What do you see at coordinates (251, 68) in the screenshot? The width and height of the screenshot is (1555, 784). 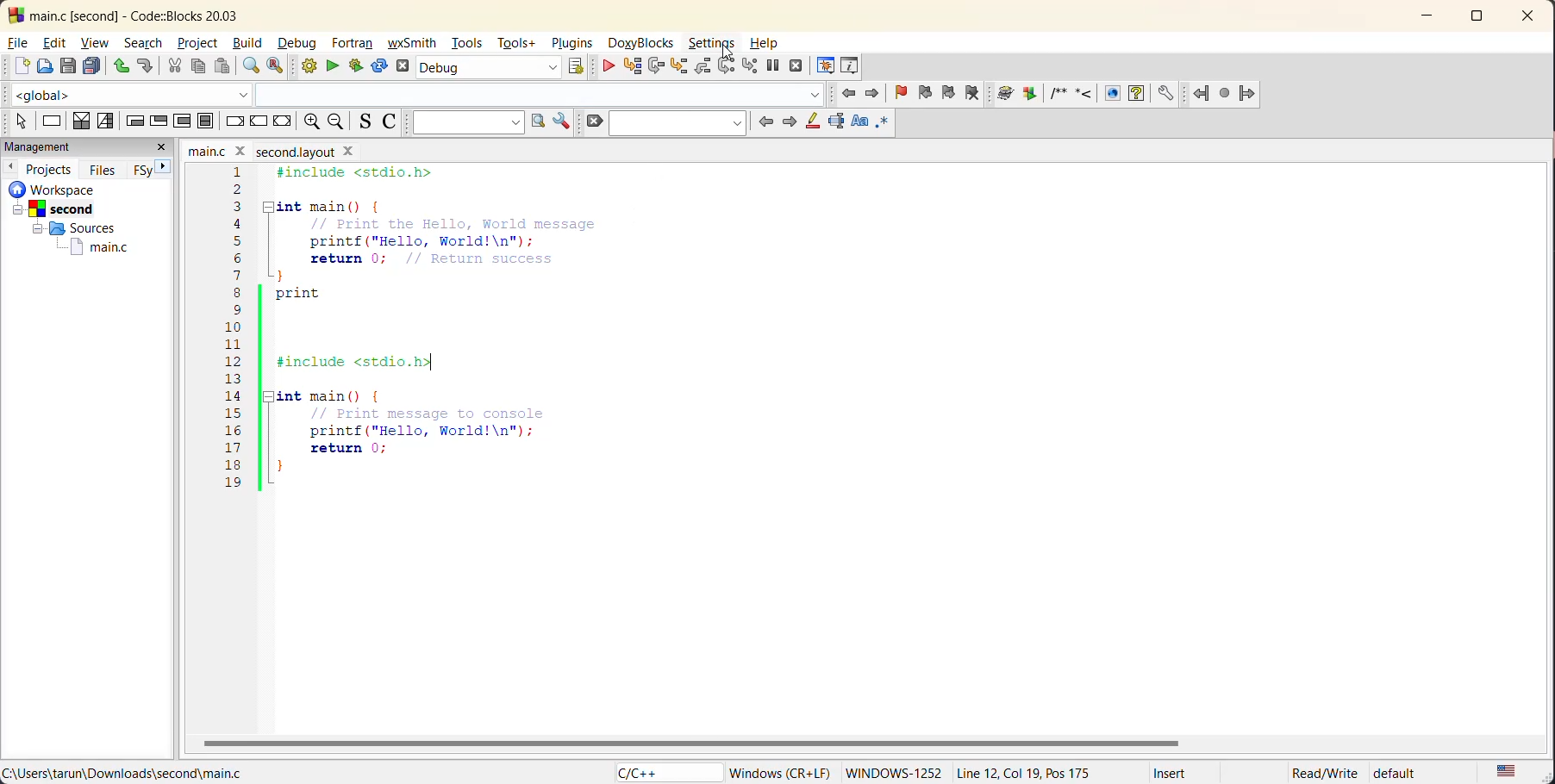 I see `find` at bounding box center [251, 68].